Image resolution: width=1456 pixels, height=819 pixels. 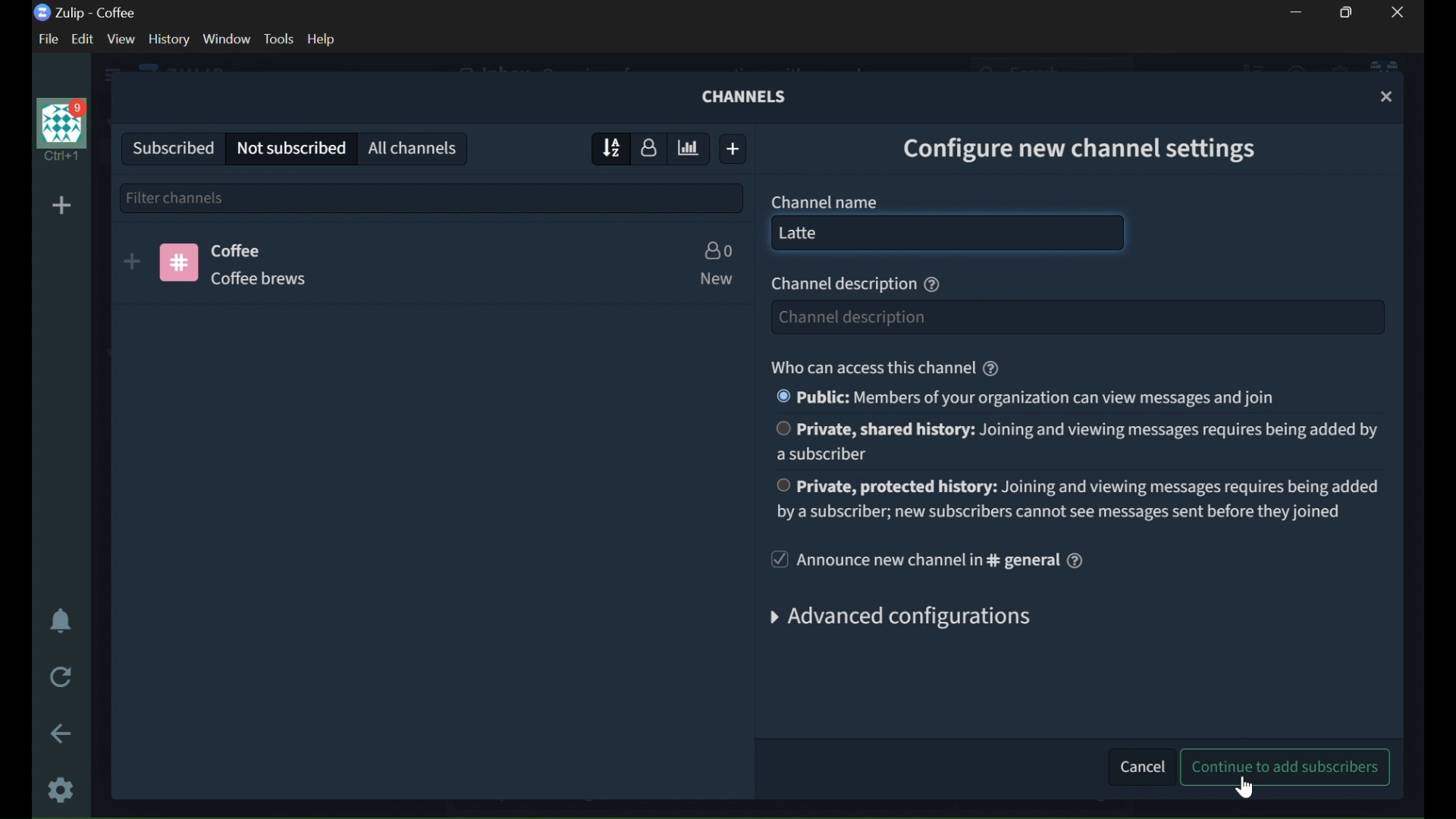 I want to click on NOT SUBSCRIBED, so click(x=291, y=149).